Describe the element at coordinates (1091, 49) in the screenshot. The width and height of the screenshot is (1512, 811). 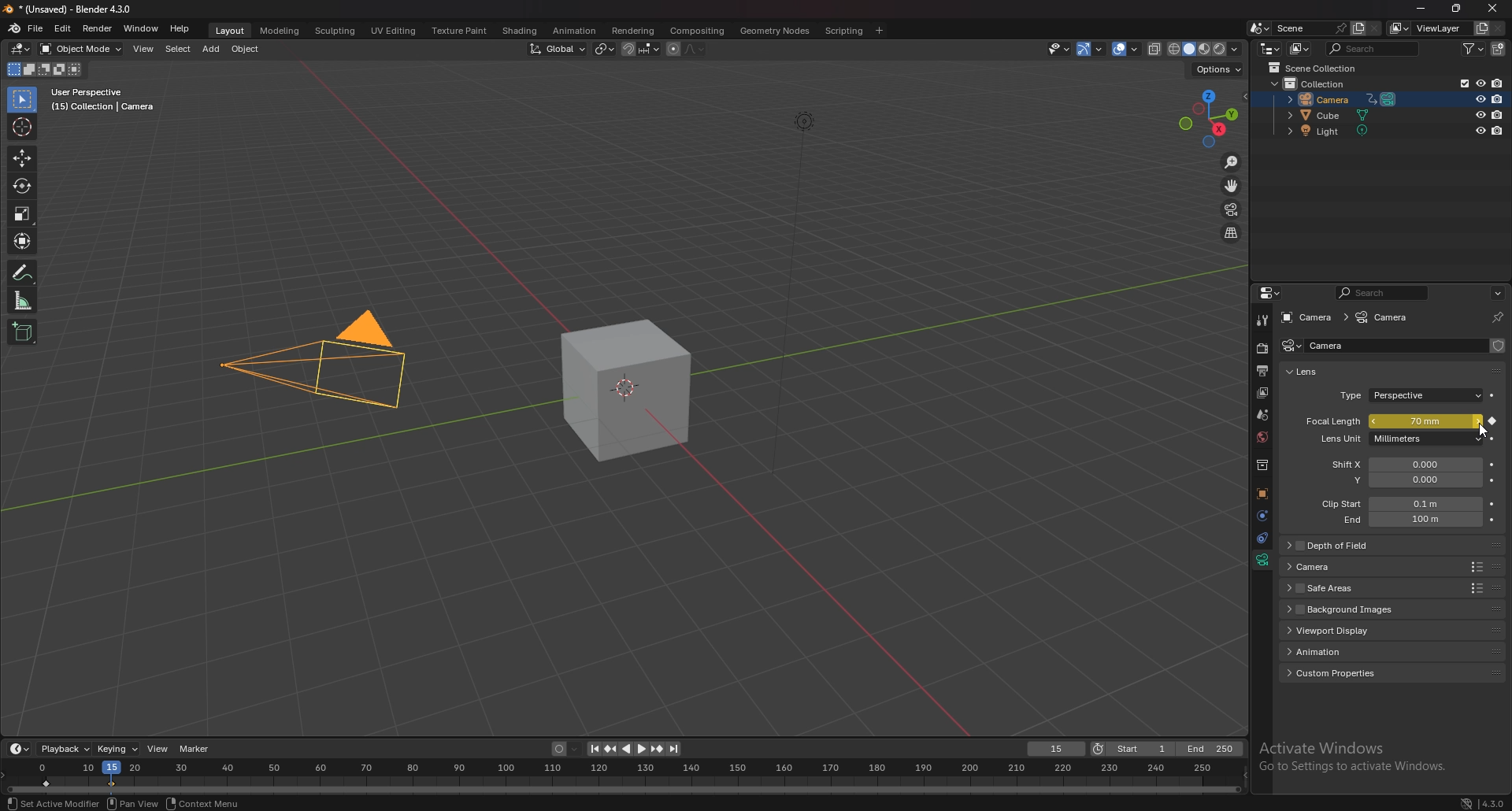
I see `gizmo` at that location.